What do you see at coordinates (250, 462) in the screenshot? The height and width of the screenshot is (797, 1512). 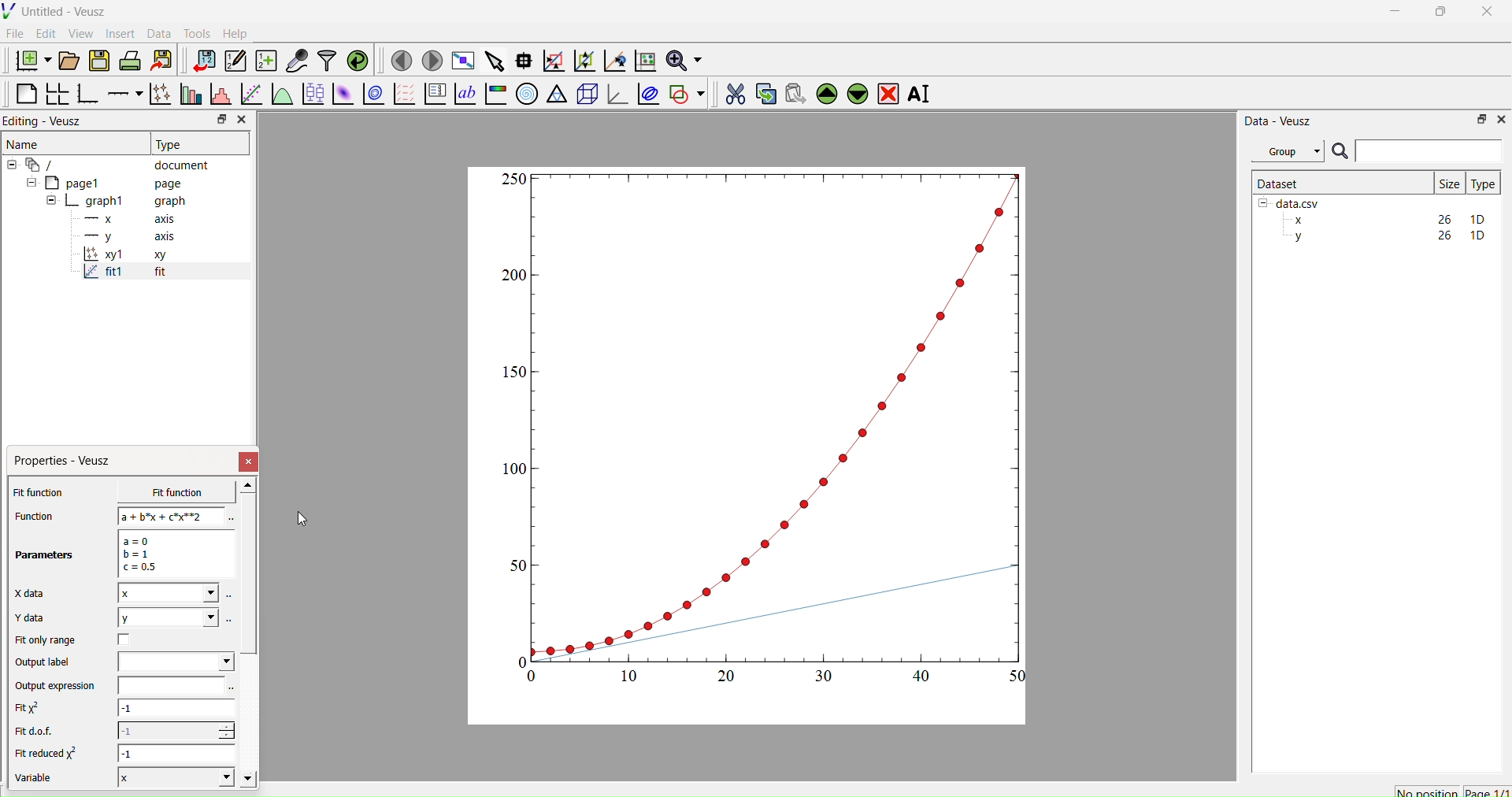 I see `Close` at bounding box center [250, 462].